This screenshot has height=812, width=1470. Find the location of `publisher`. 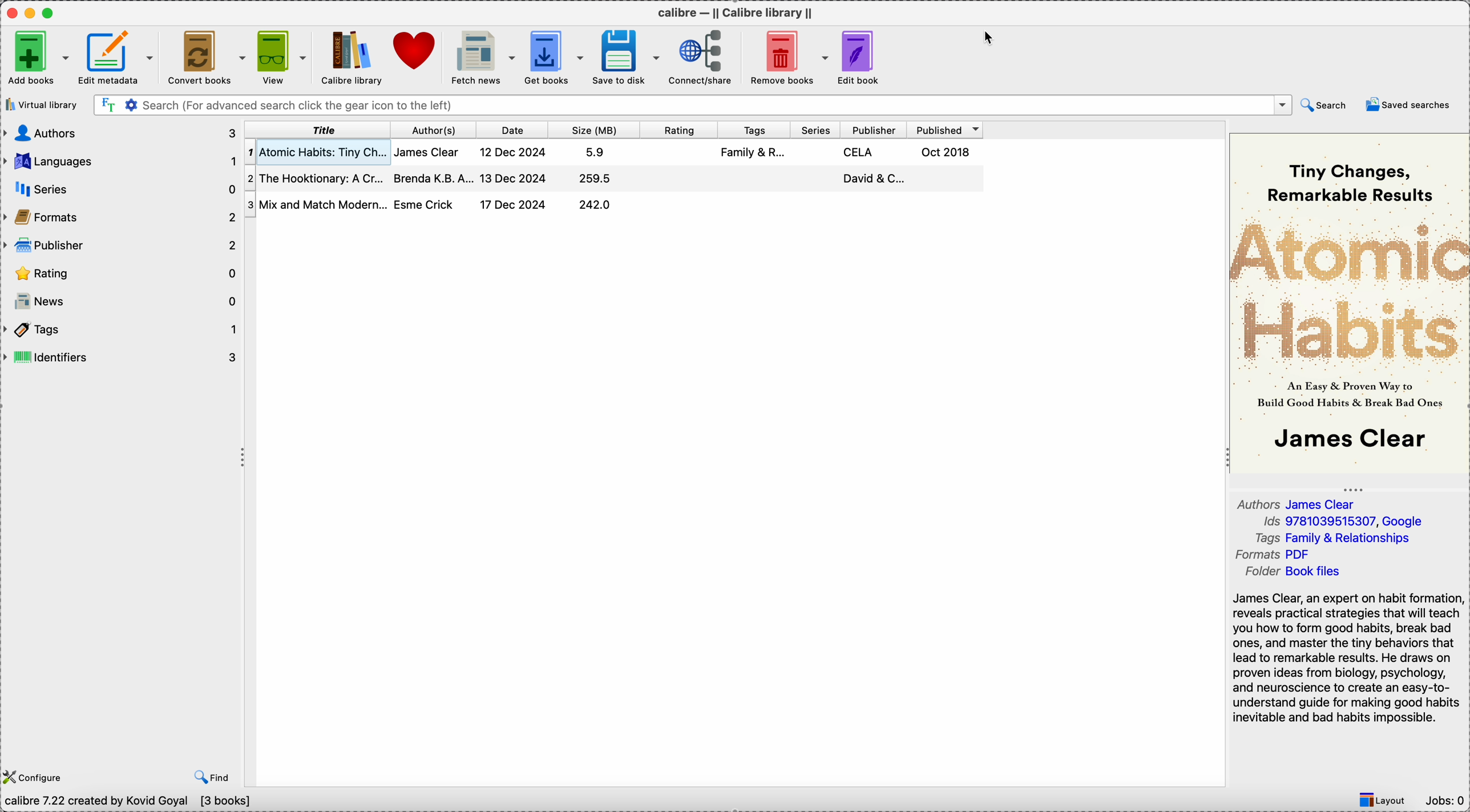

publisher is located at coordinates (874, 128).